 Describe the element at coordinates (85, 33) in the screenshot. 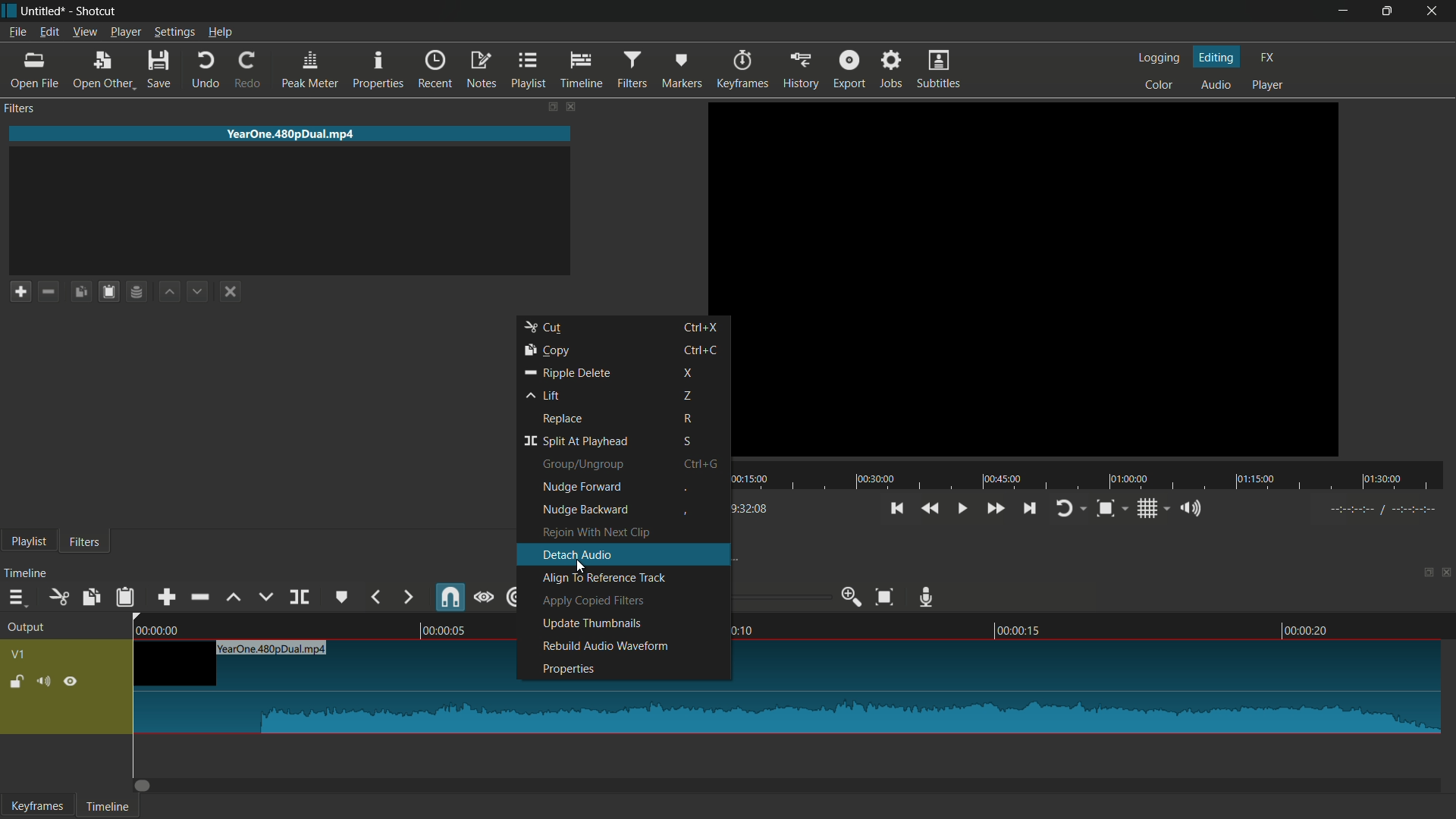

I see `view menu` at that location.